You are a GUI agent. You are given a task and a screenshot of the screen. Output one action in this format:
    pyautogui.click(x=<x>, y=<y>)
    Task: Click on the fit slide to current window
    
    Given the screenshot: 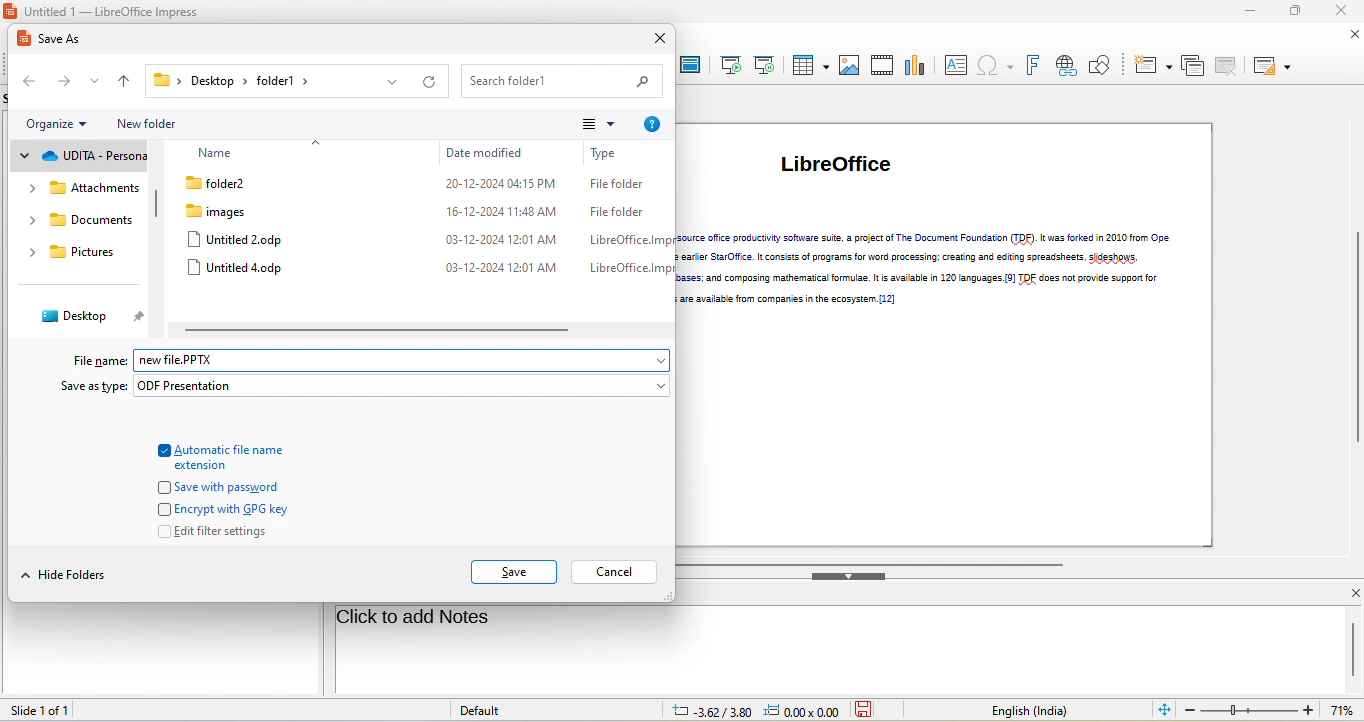 What is the action you would take?
    pyautogui.click(x=1165, y=711)
    